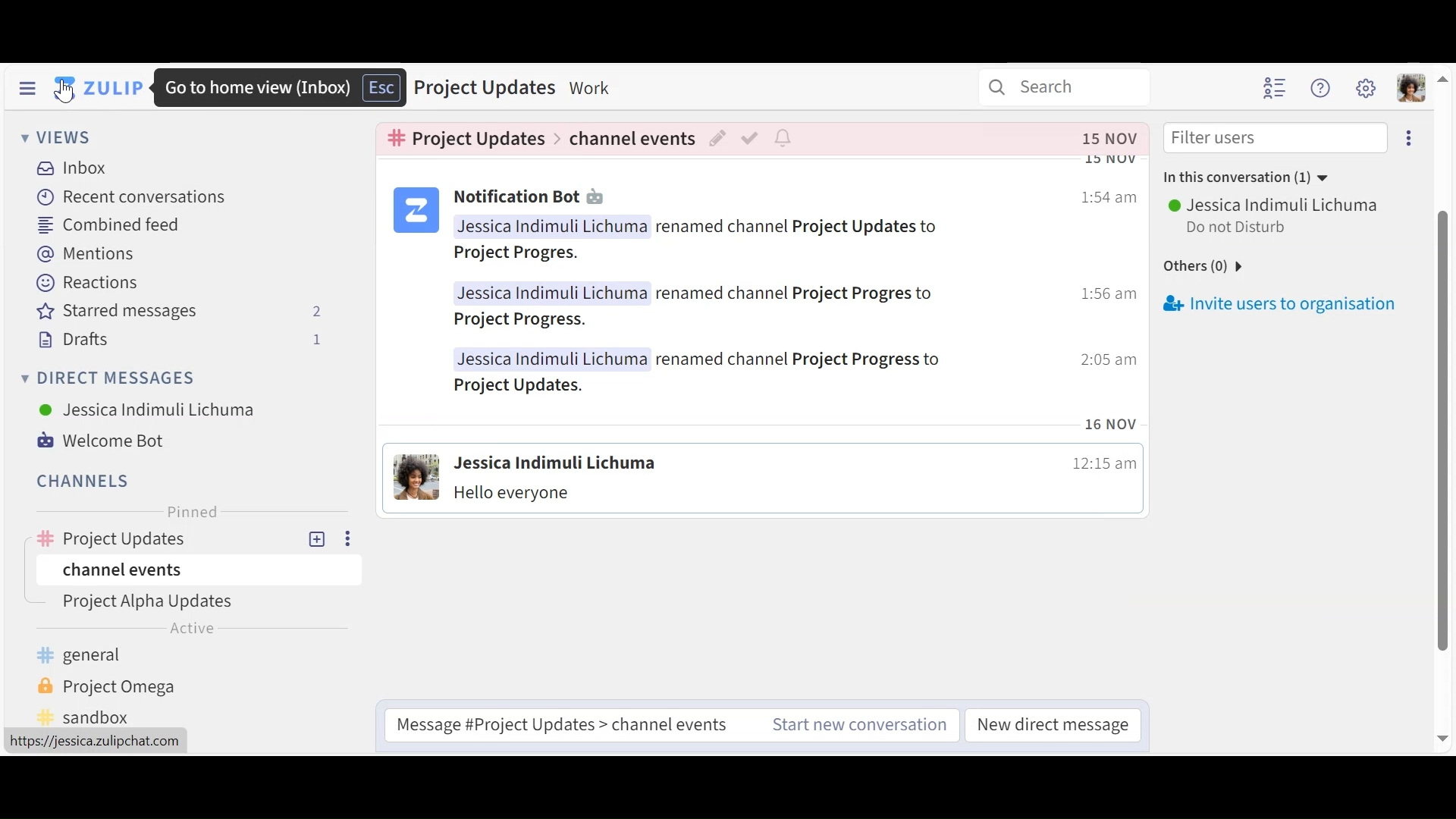 This screenshot has height=819, width=1456. Describe the element at coordinates (1100, 359) in the screenshot. I see `time` at that location.